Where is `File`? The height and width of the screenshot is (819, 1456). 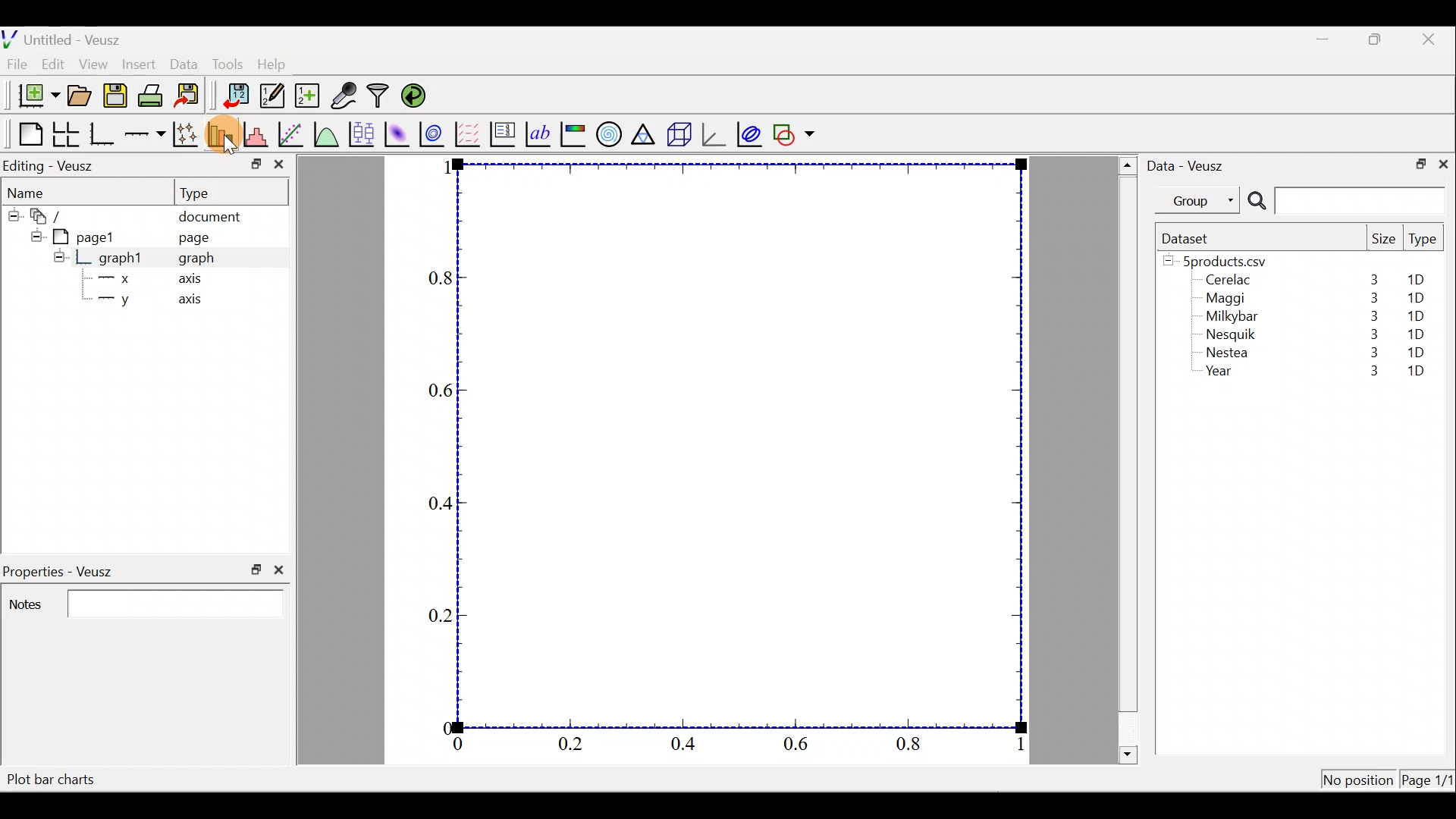 File is located at coordinates (14, 64).